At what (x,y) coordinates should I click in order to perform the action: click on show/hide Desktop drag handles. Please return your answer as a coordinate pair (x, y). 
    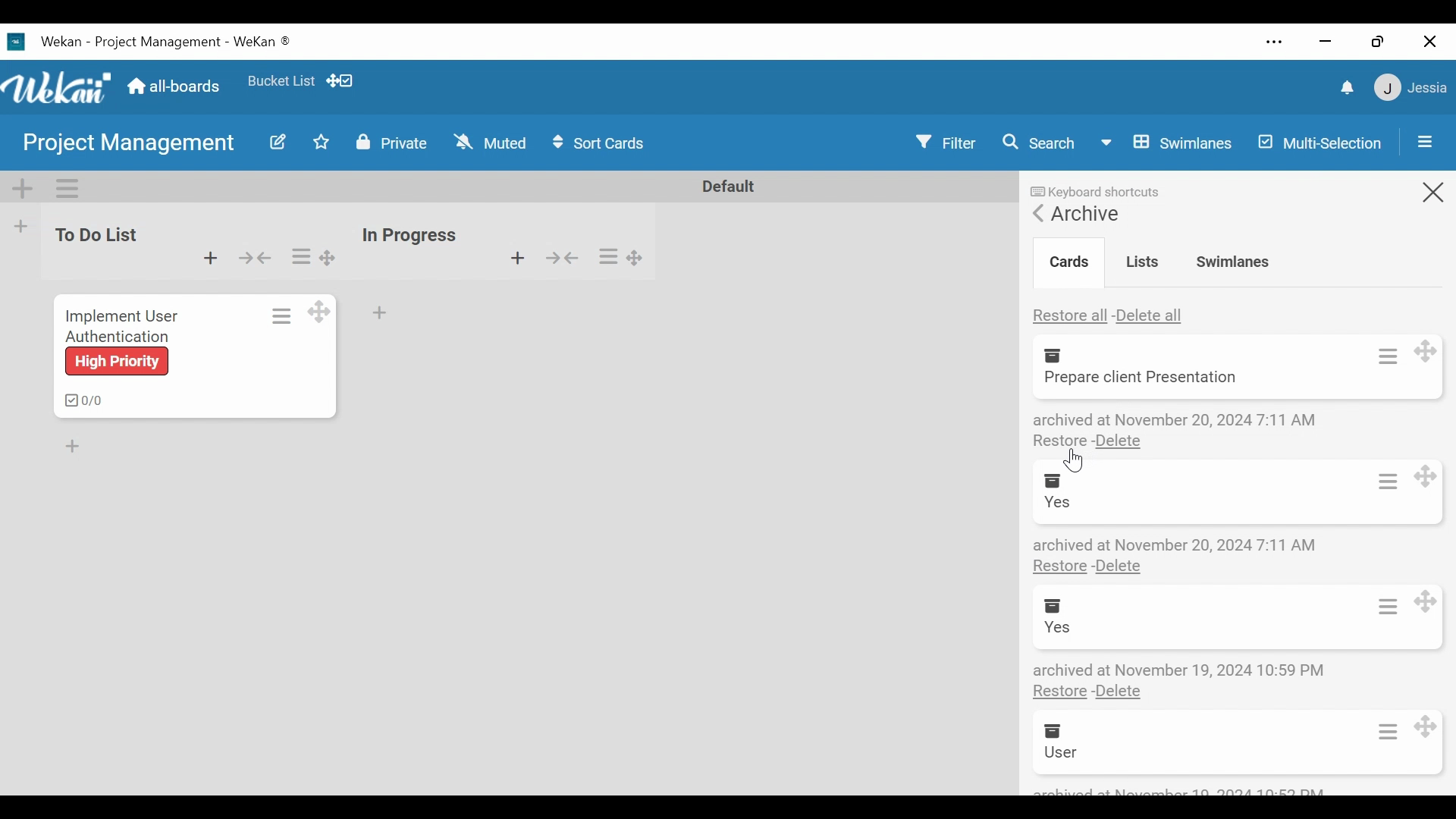
    Looking at the image, I should click on (340, 80).